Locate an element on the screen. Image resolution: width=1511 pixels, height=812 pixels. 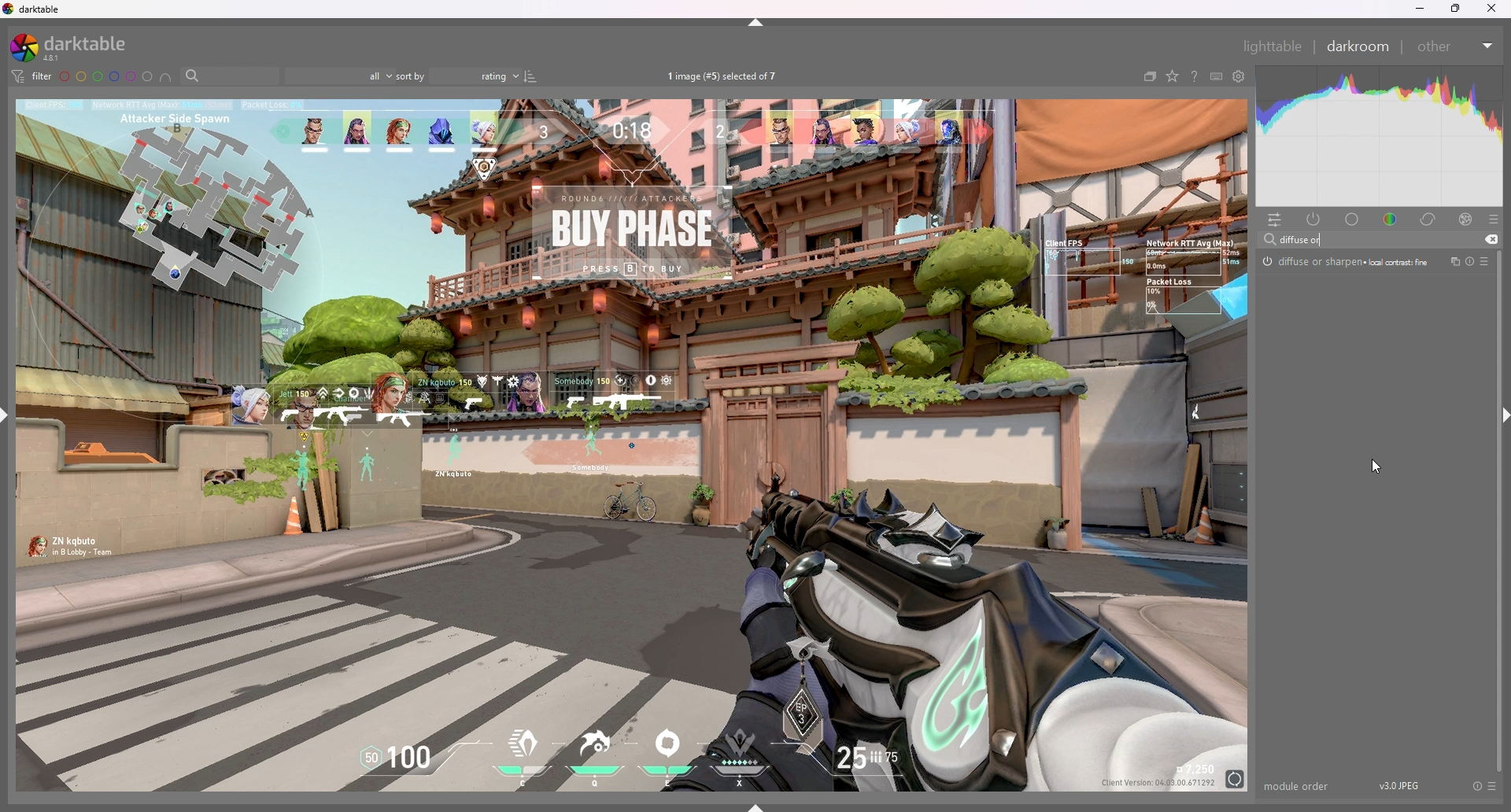
presets is located at coordinates (1484, 262).